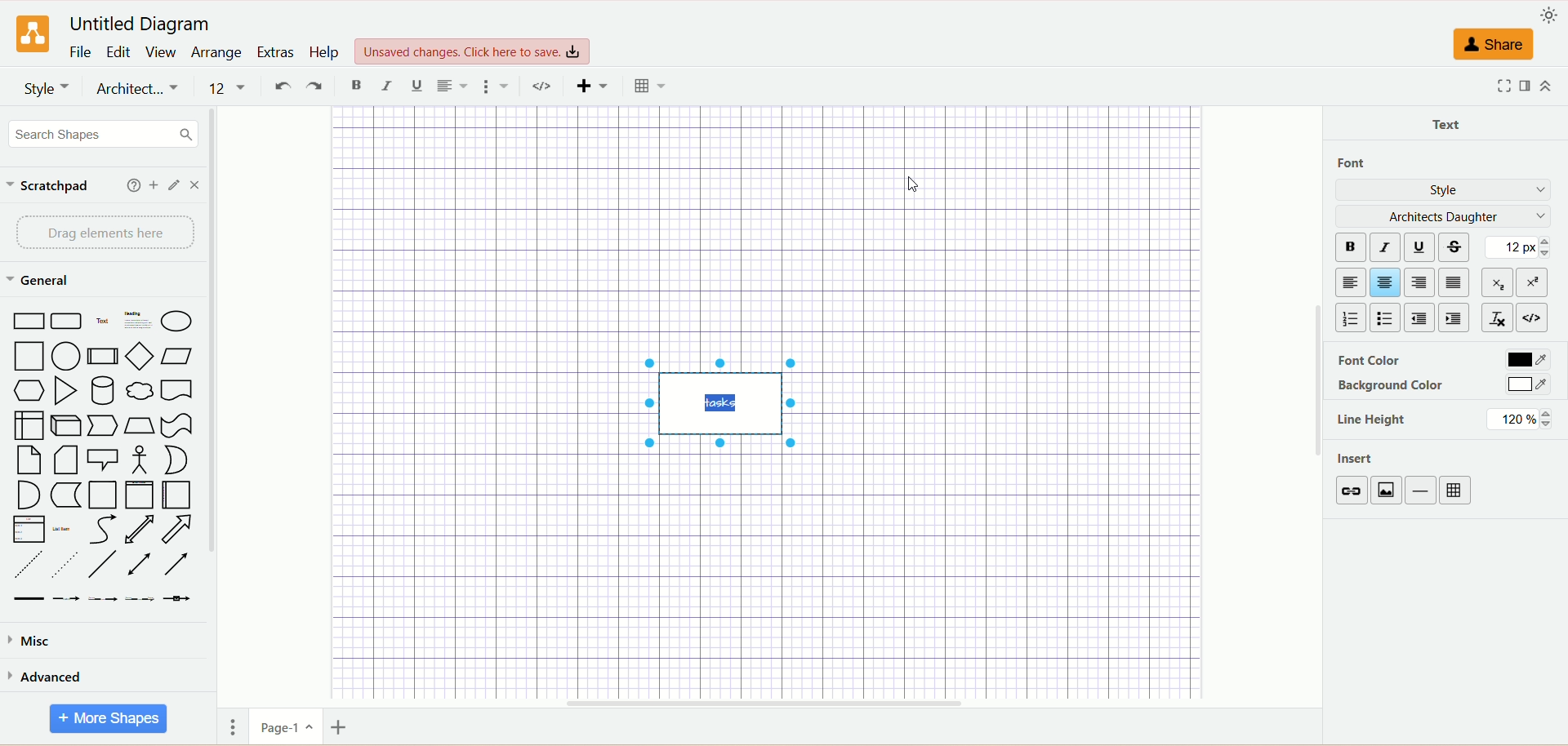 Image resolution: width=1568 pixels, height=746 pixels. I want to click on Cuboid, so click(67, 426).